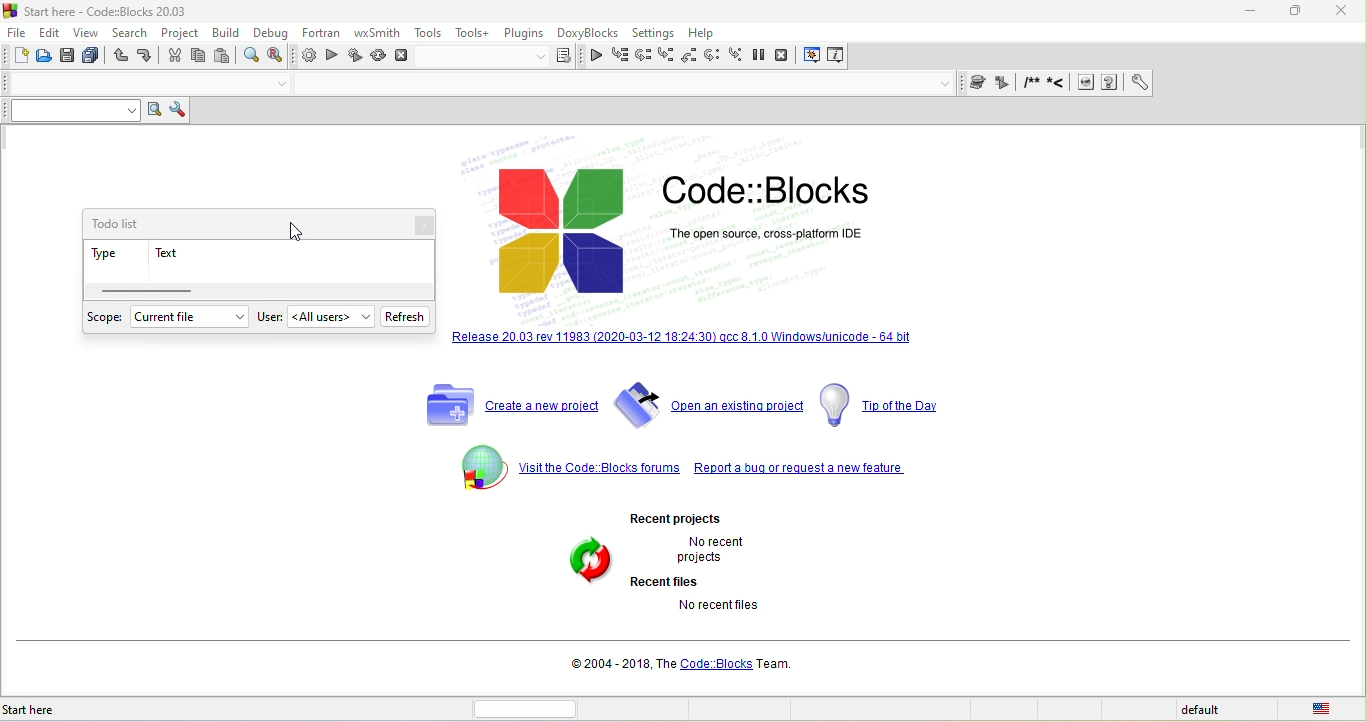 The width and height of the screenshot is (1366, 722). Describe the element at coordinates (683, 341) in the screenshot. I see `release 20.03 rev 11983[20220-03-12 18.24.30] qcc 8.10 window unicode 64 bit` at that location.